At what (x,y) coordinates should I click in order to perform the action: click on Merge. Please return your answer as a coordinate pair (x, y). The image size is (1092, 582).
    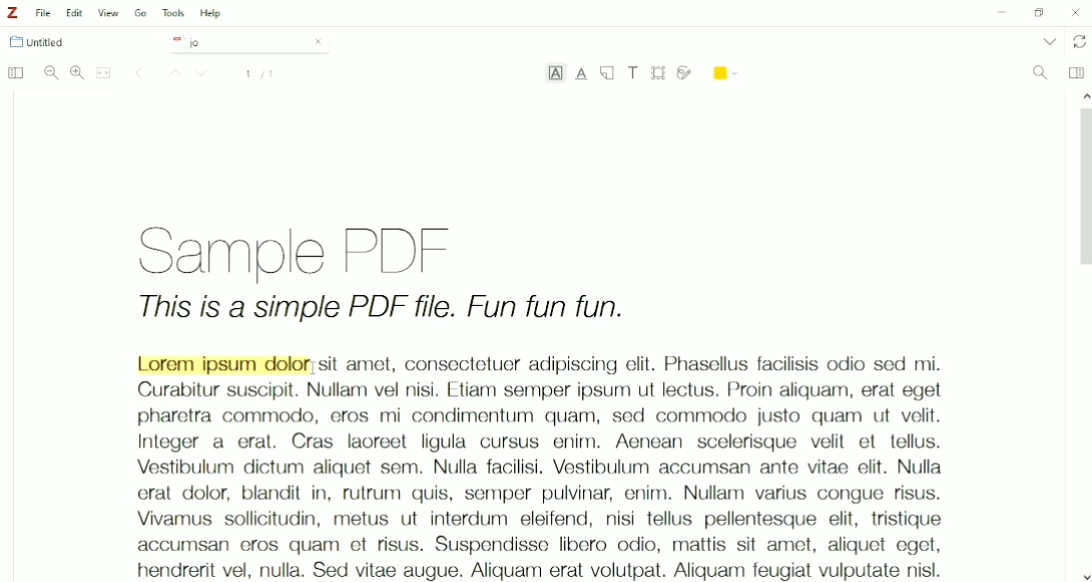
    Looking at the image, I should click on (104, 73).